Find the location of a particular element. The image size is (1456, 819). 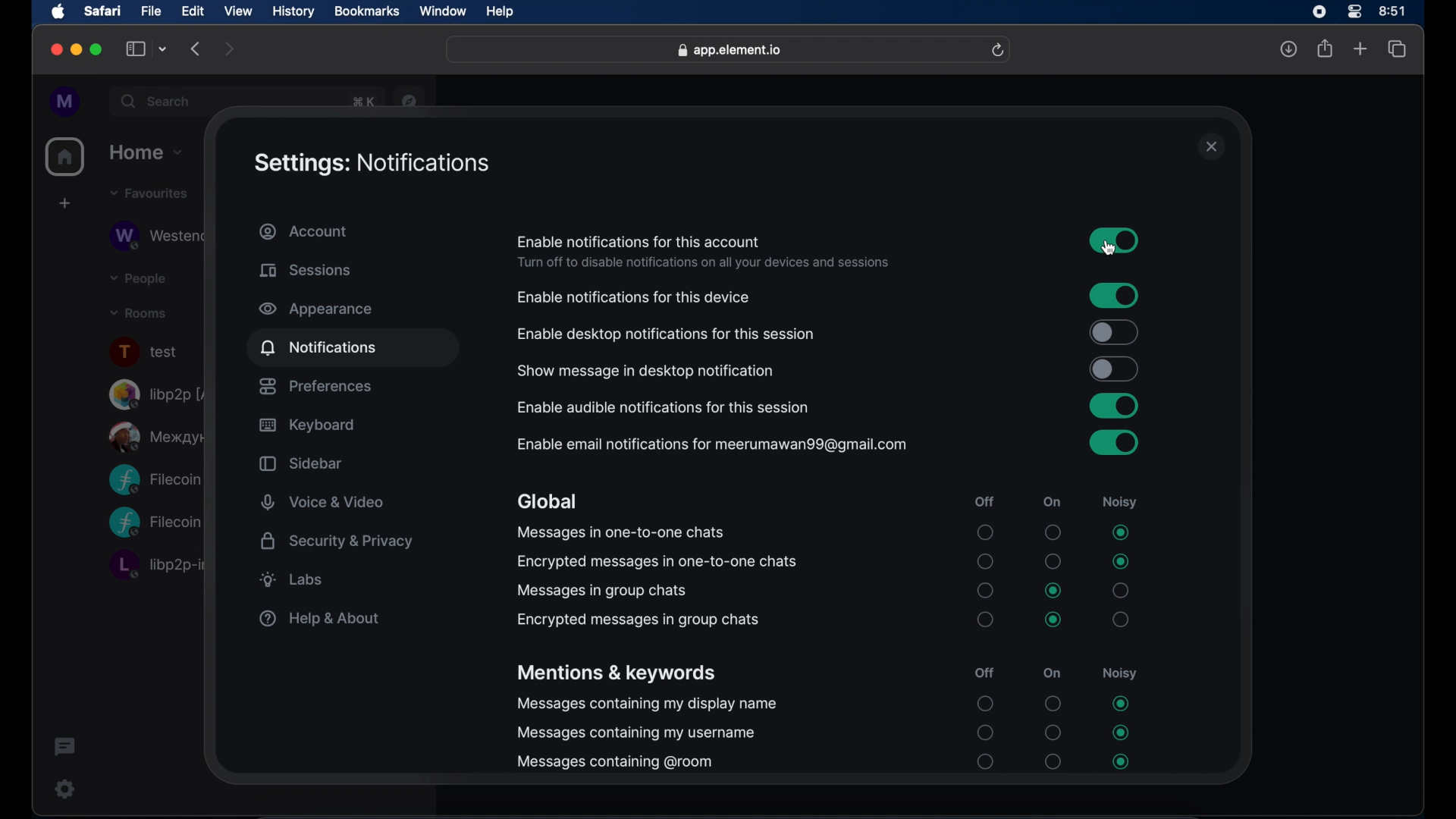

off is located at coordinates (984, 501).